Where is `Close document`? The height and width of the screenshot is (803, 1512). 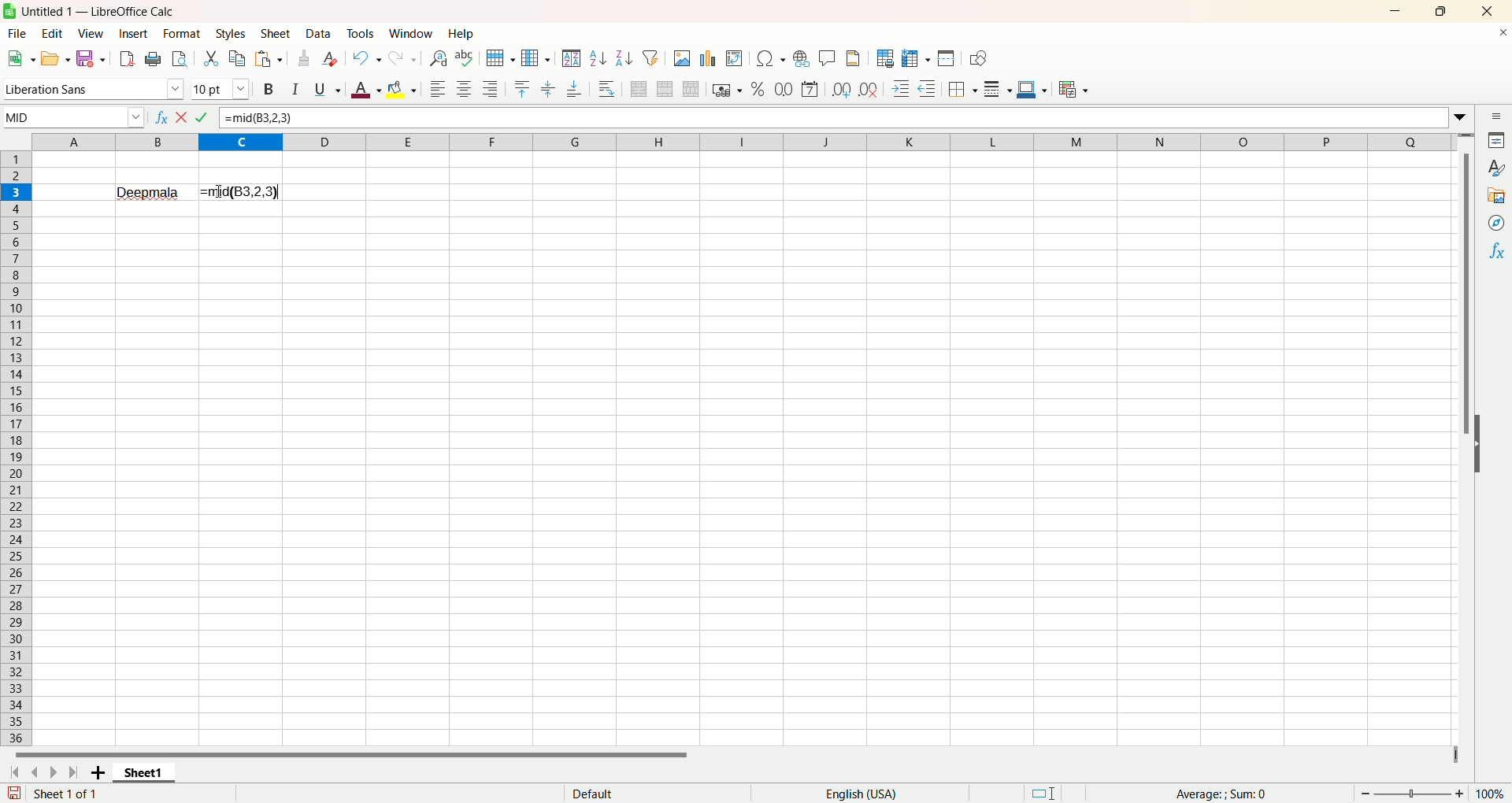
Close document is located at coordinates (1498, 33).